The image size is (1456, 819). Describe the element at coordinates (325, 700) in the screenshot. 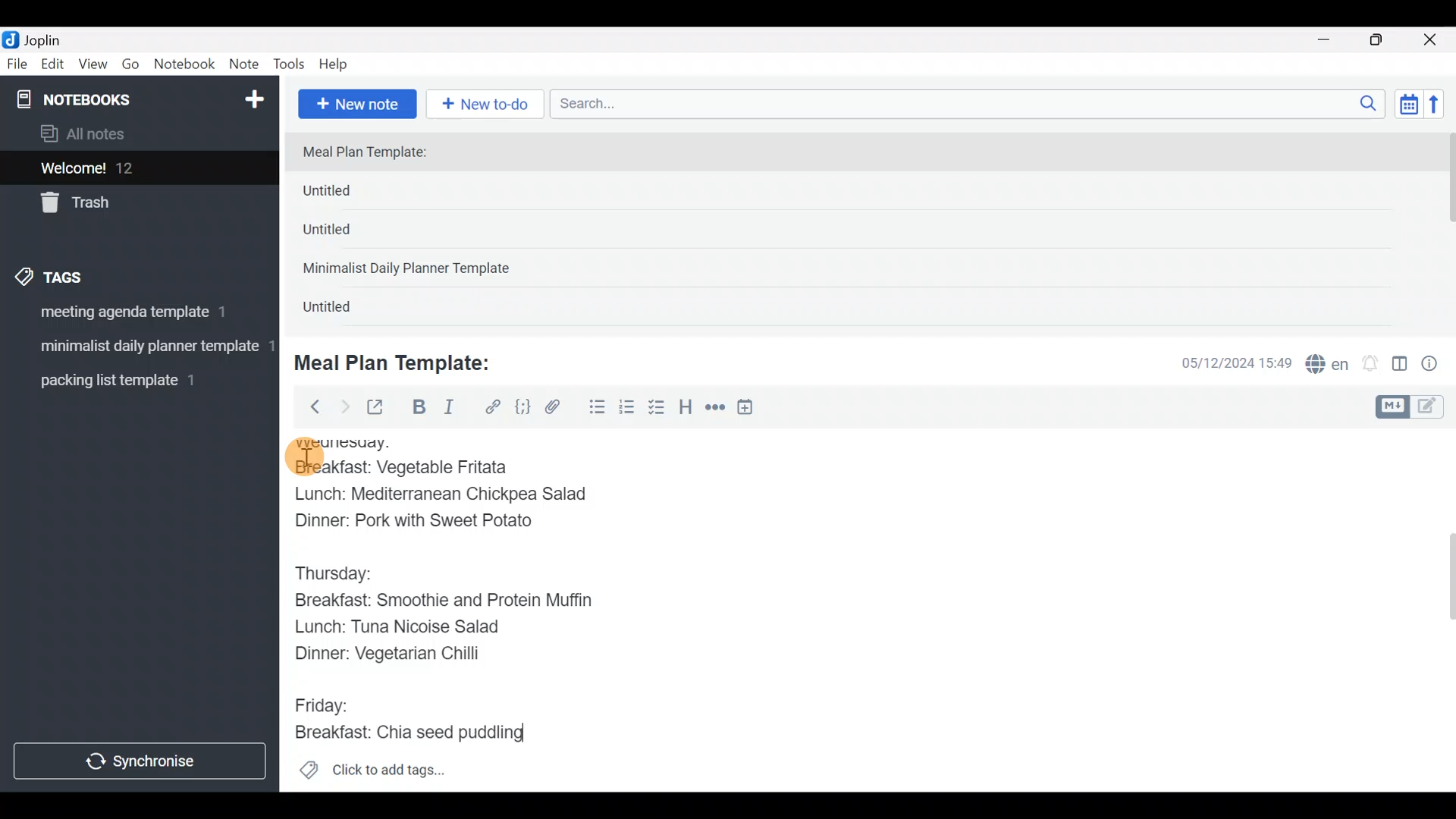

I see `Friday:` at that location.